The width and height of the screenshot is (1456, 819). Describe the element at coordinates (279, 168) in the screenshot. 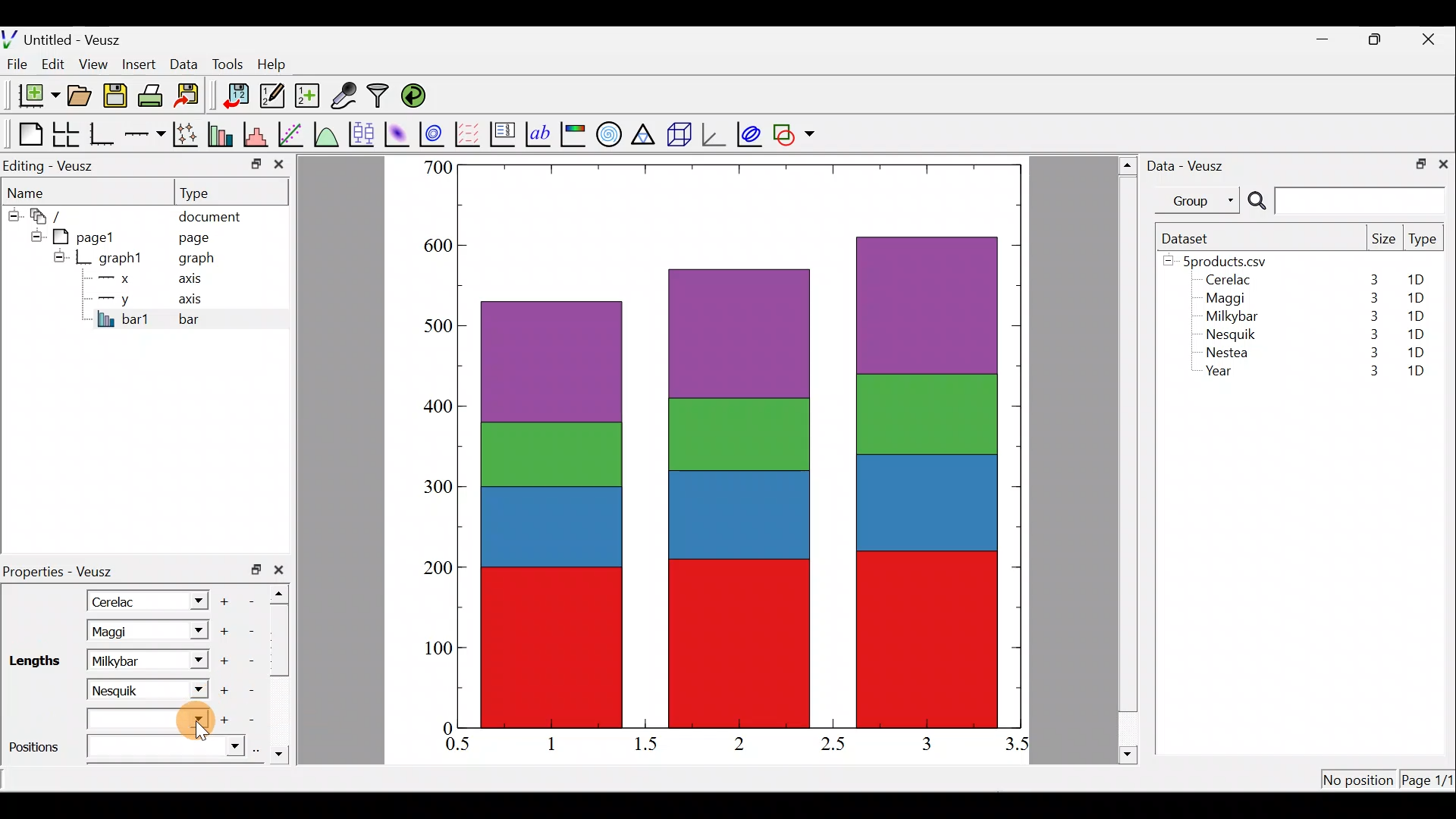

I see `close` at that location.